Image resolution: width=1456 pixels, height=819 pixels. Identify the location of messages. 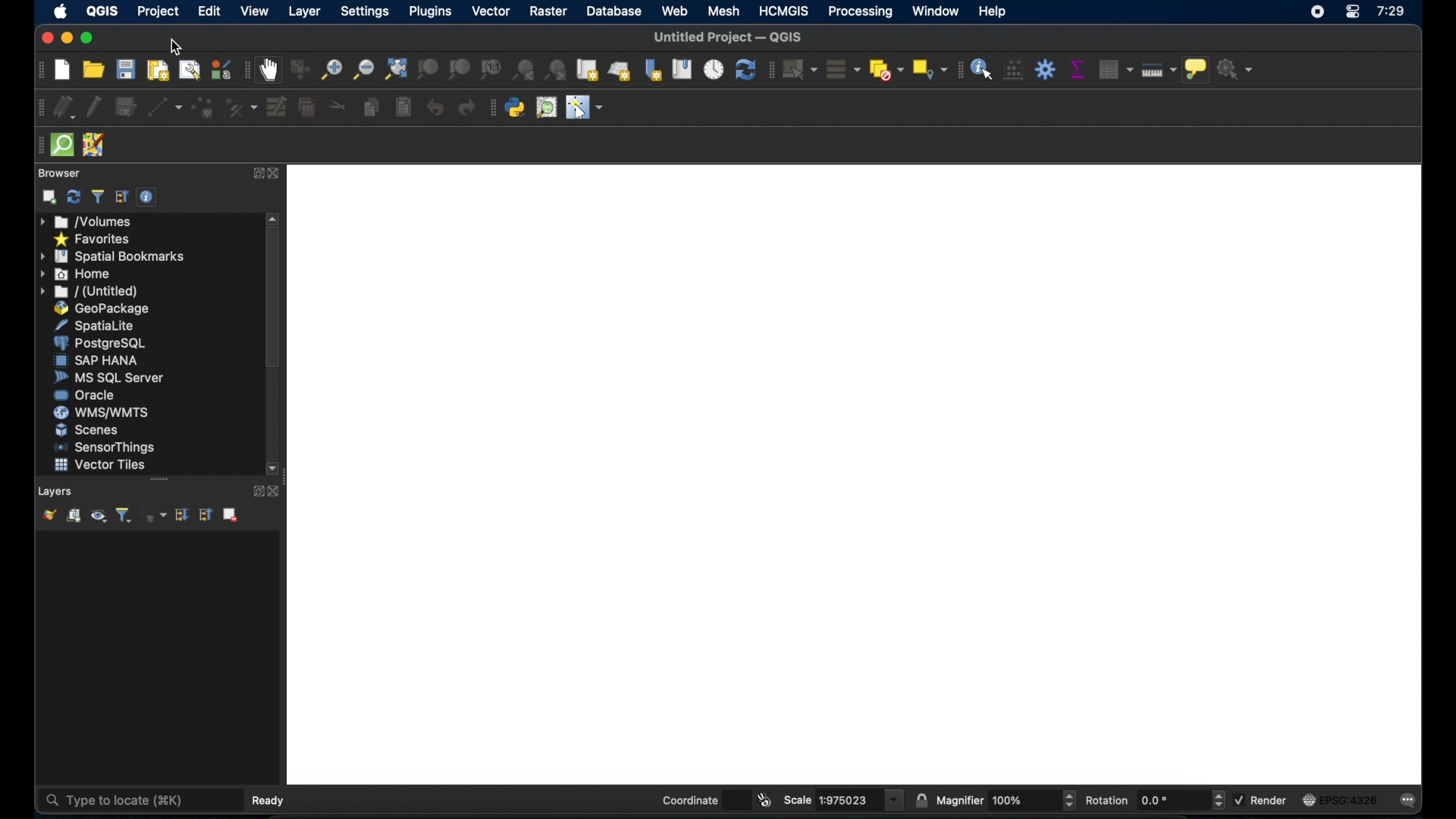
(1411, 802).